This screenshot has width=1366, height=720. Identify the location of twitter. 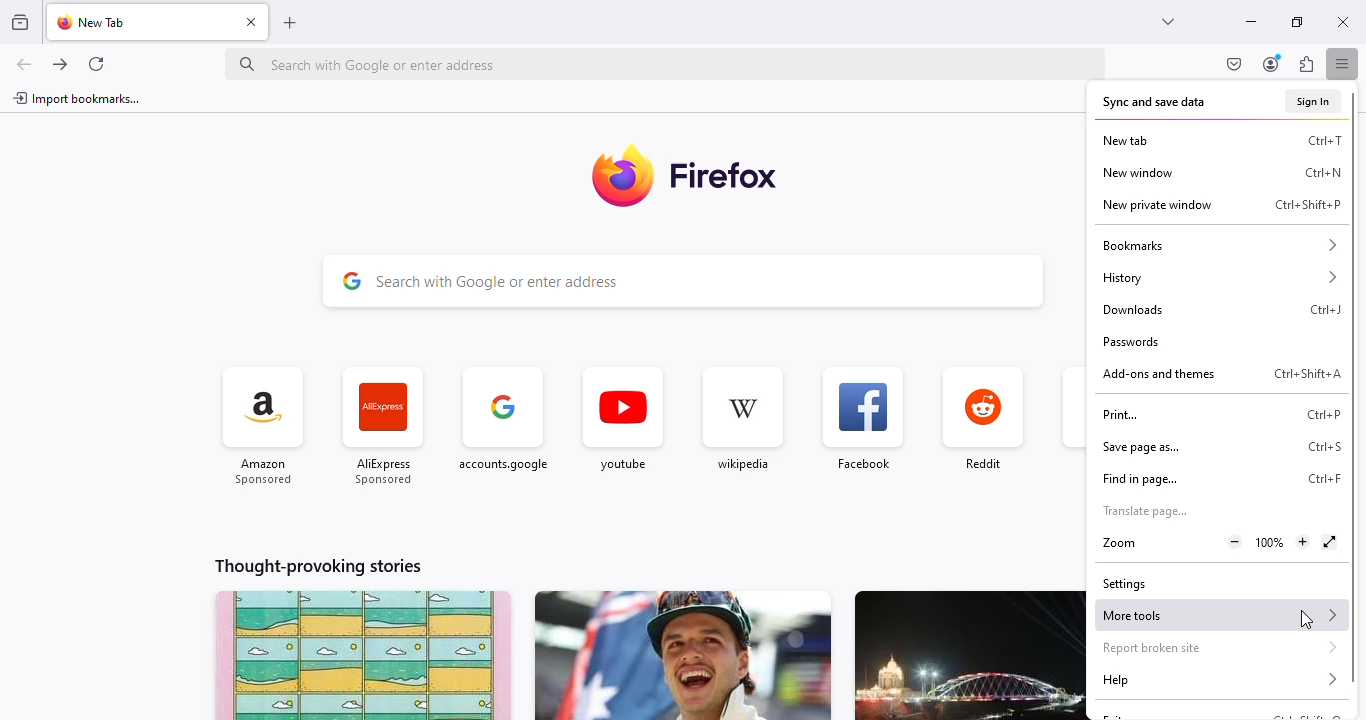
(1071, 423).